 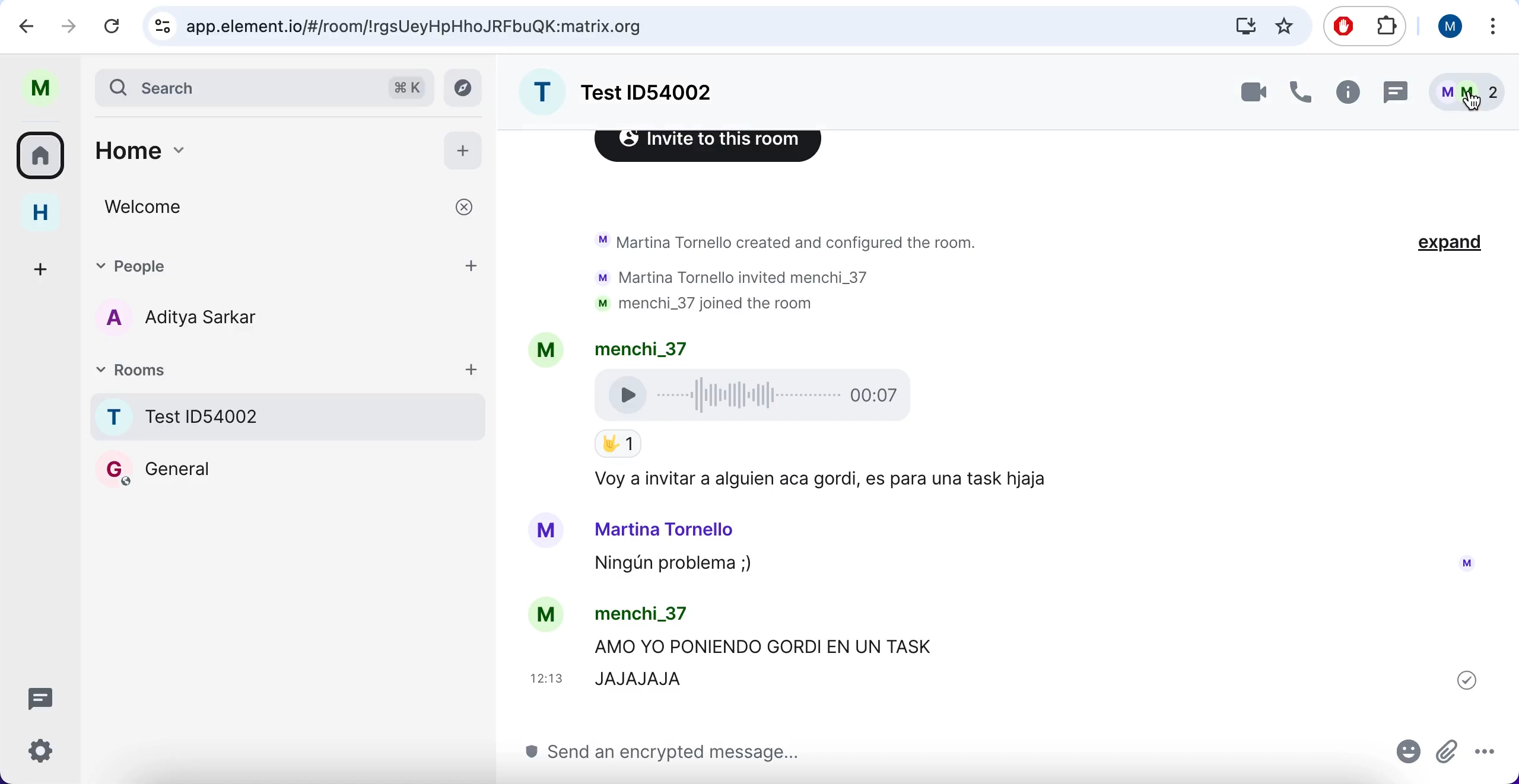 I want to click on Cursor, so click(x=1474, y=103).